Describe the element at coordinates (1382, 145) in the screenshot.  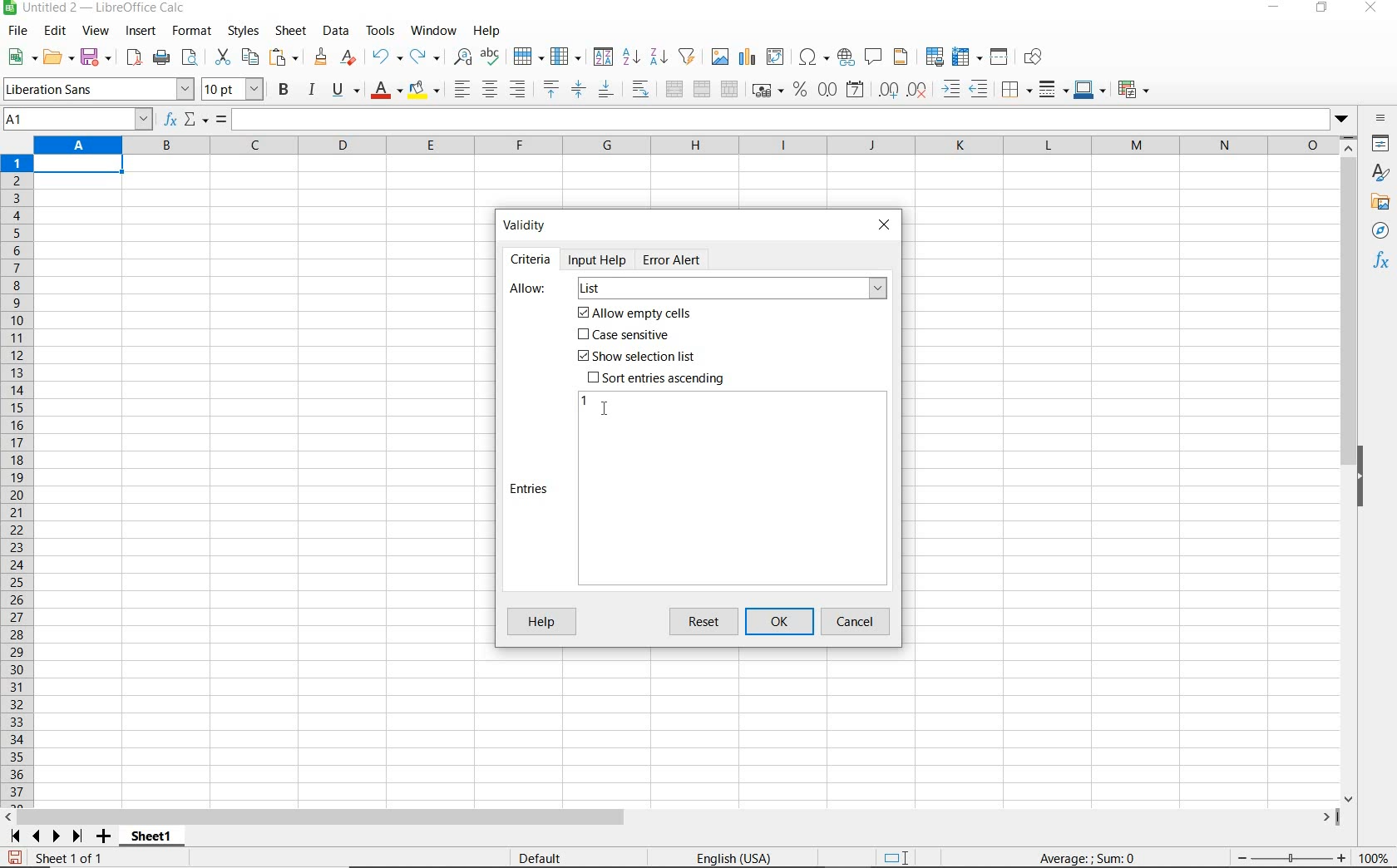
I see `properties` at that location.